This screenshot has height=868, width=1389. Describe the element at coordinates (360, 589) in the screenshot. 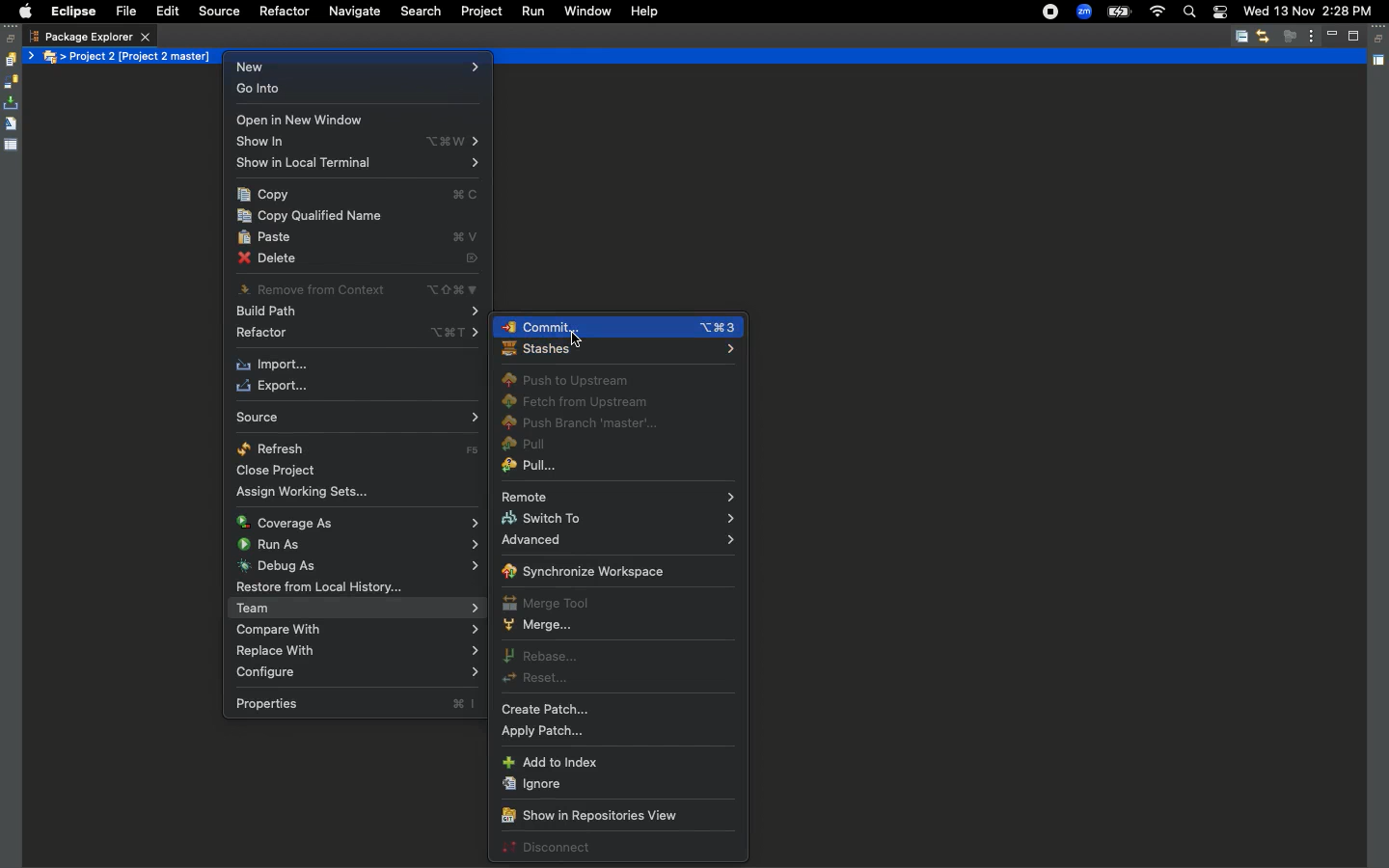

I see `Restore from local history` at that location.